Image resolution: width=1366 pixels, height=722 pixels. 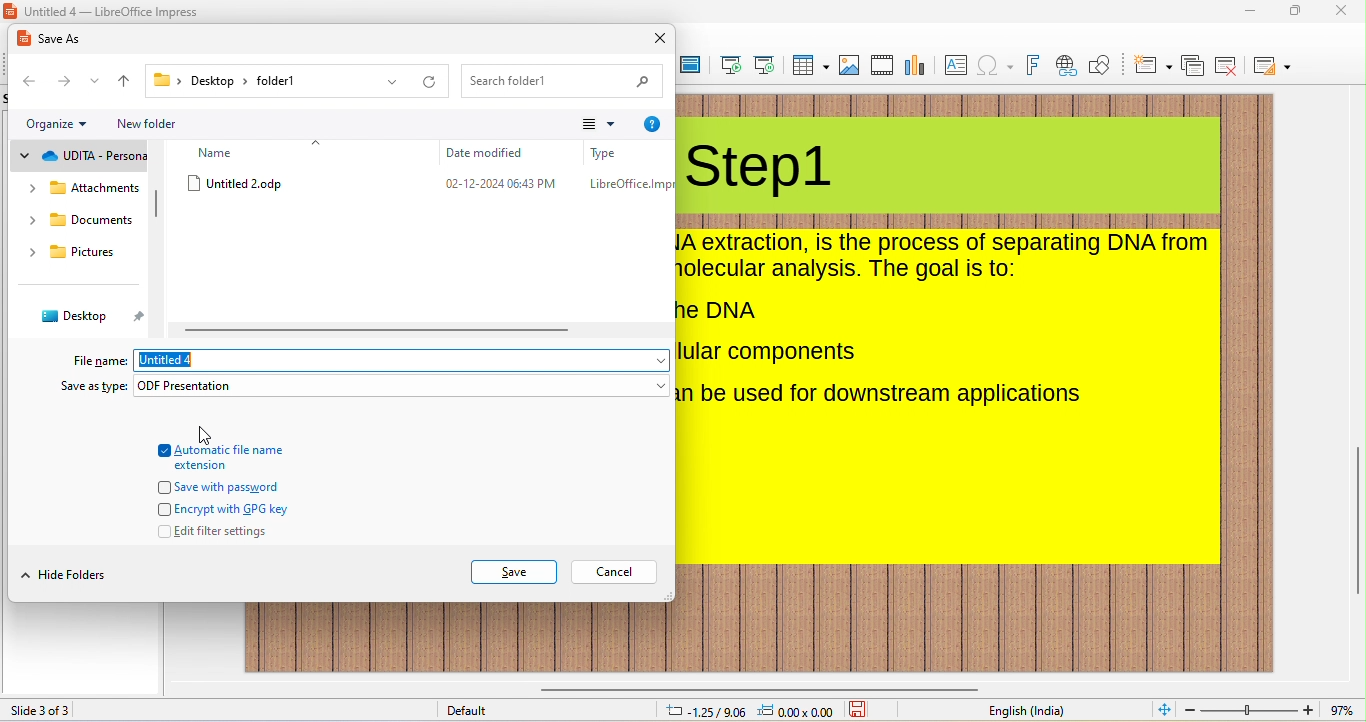 What do you see at coordinates (64, 79) in the screenshot?
I see `forward` at bounding box center [64, 79].